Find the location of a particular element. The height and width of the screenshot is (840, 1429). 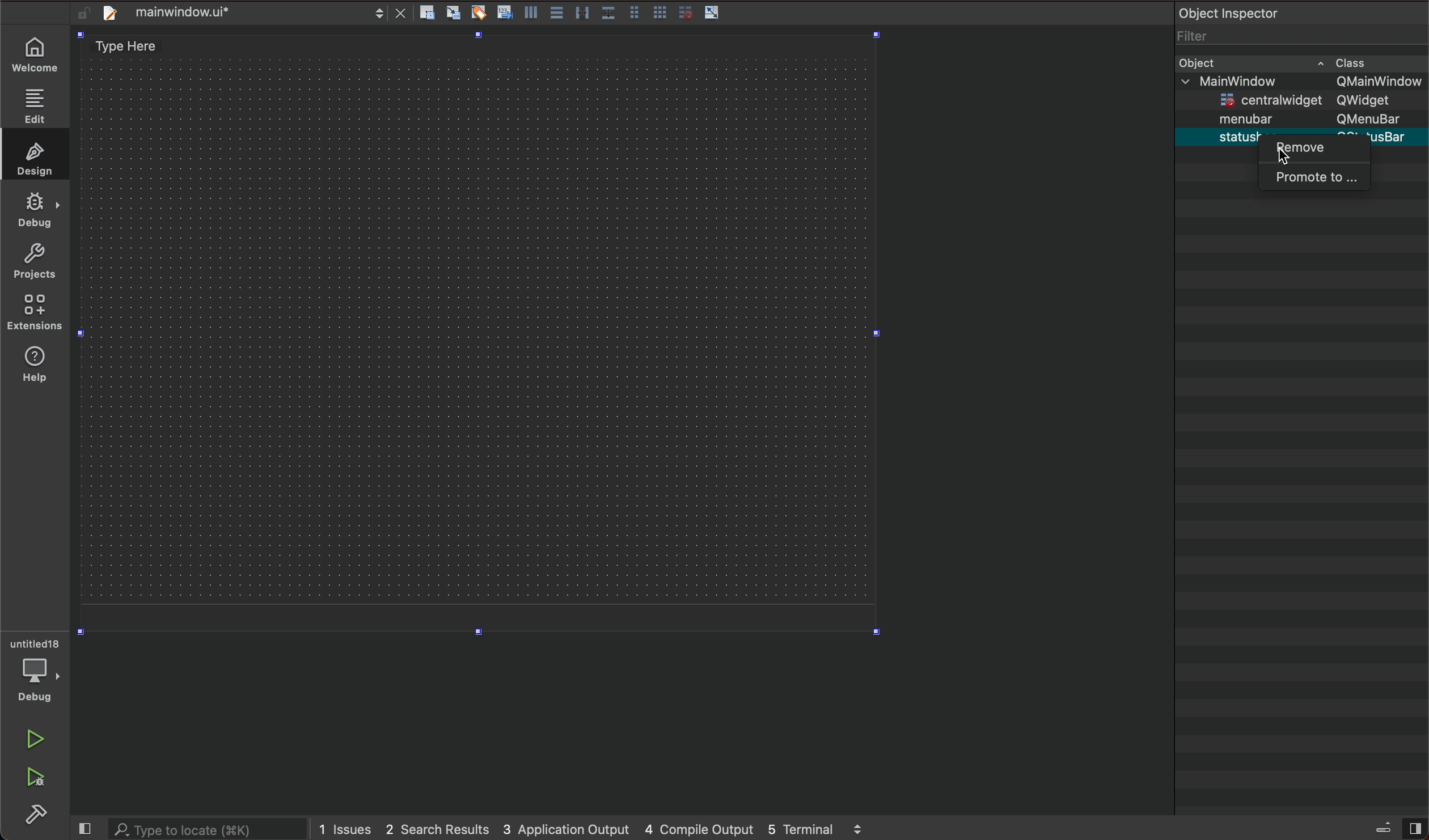

3 application output is located at coordinates (566, 825).